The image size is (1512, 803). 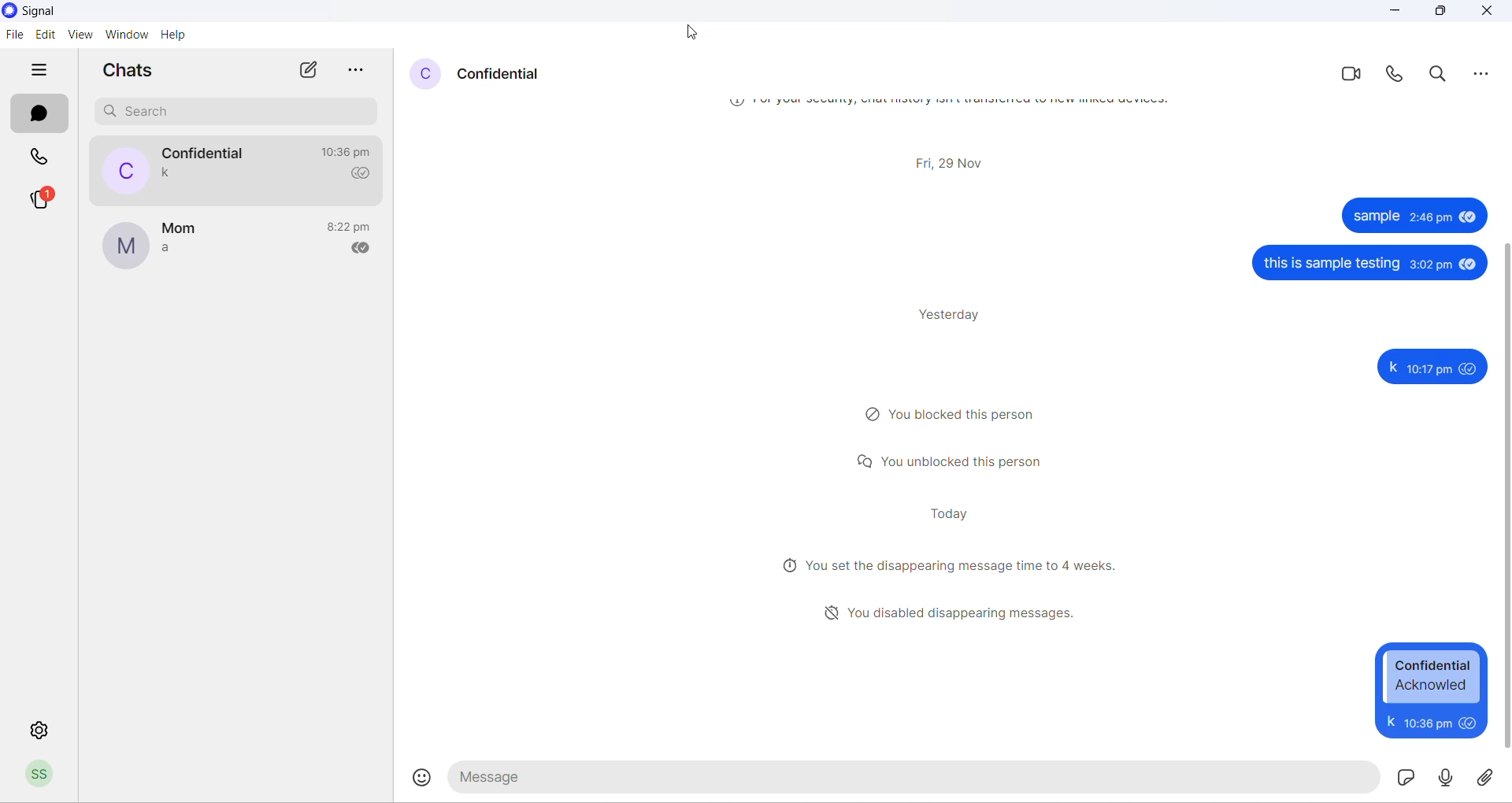 What do you see at coordinates (1404, 776) in the screenshot?
I see `sticker` at bounding box center [1404, 776].